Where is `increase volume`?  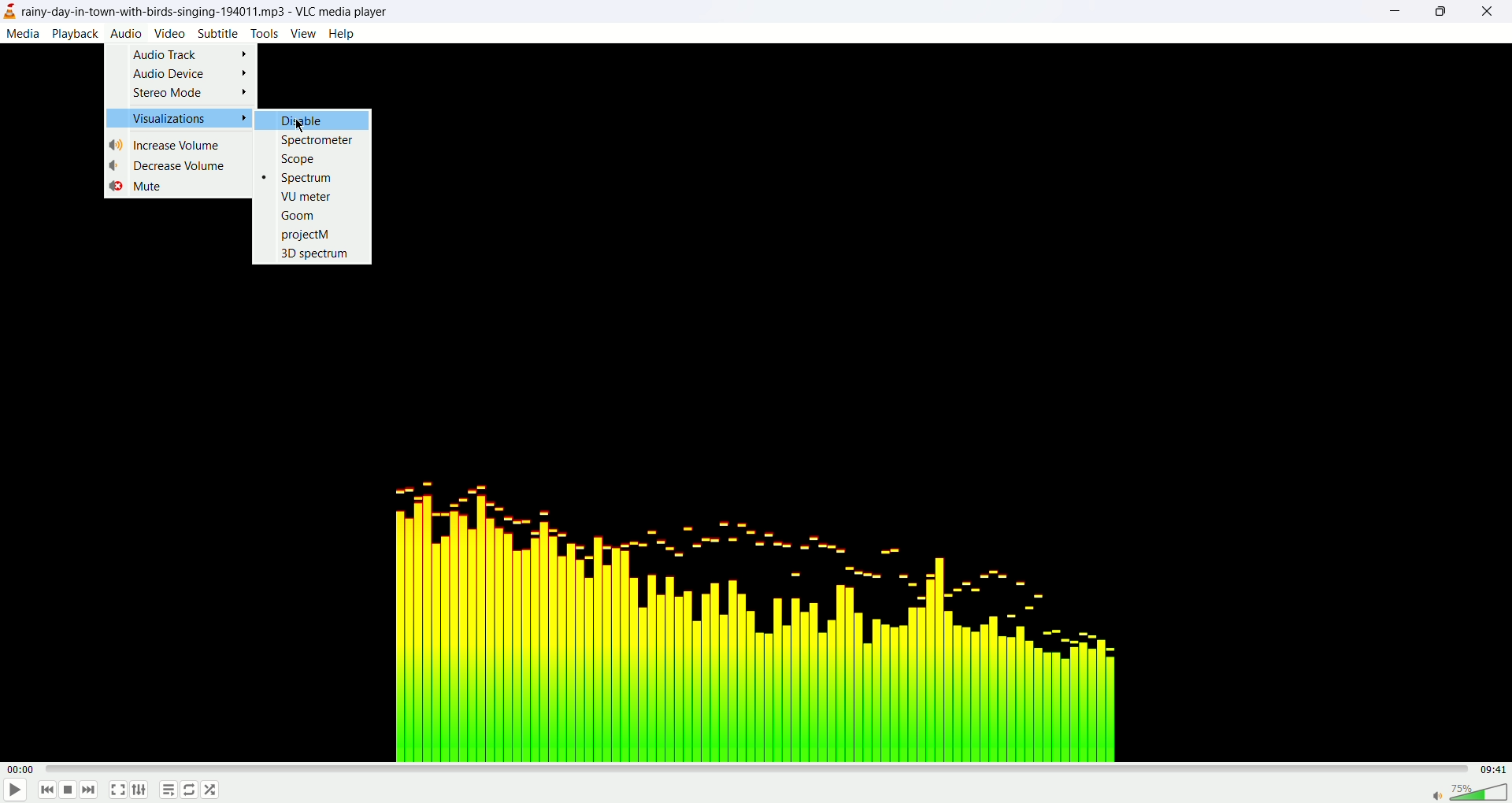
increase volume is located at coordinates (169, 145).